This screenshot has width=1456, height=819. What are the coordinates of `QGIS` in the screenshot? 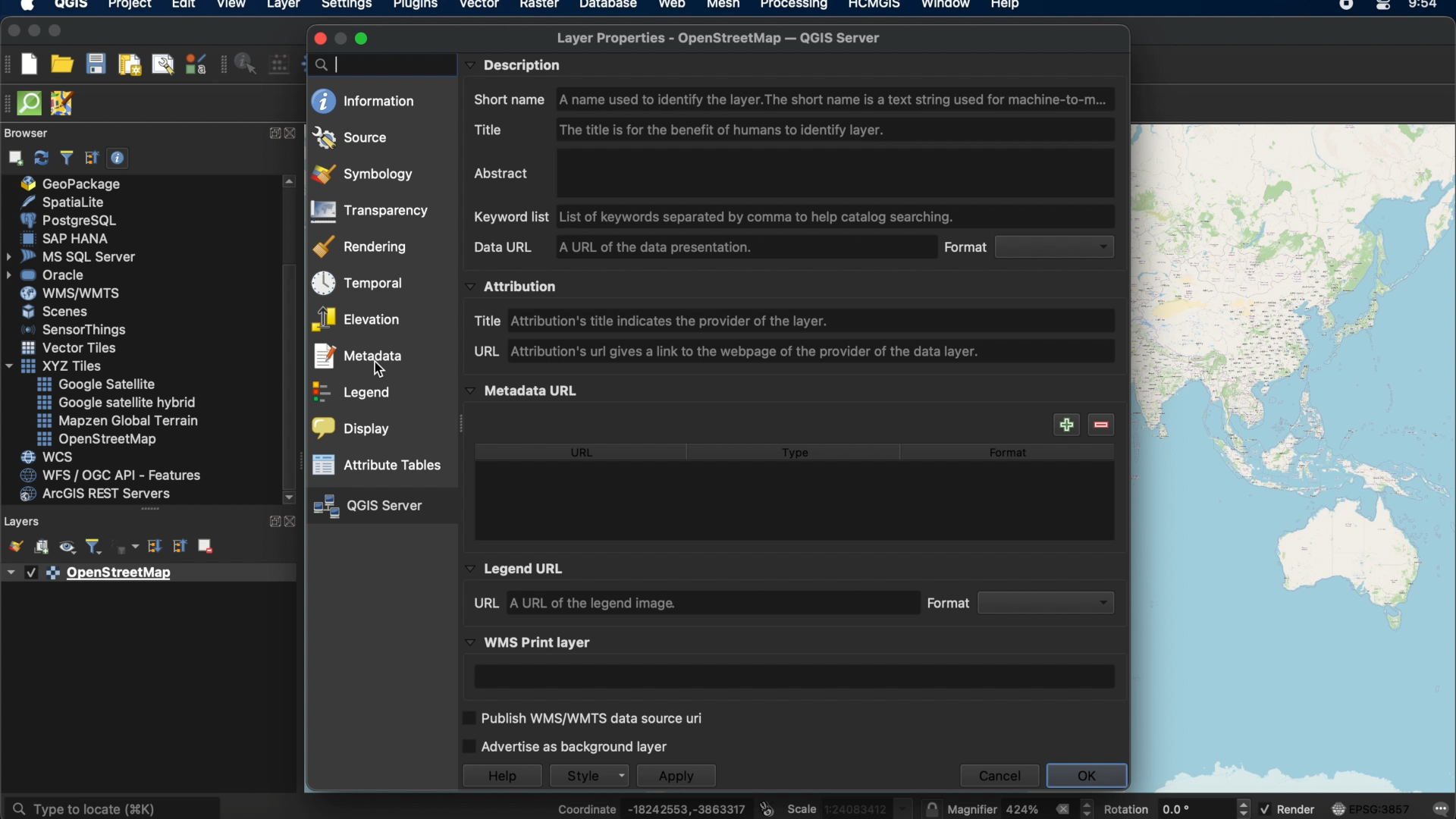 It's located at (71, 7).